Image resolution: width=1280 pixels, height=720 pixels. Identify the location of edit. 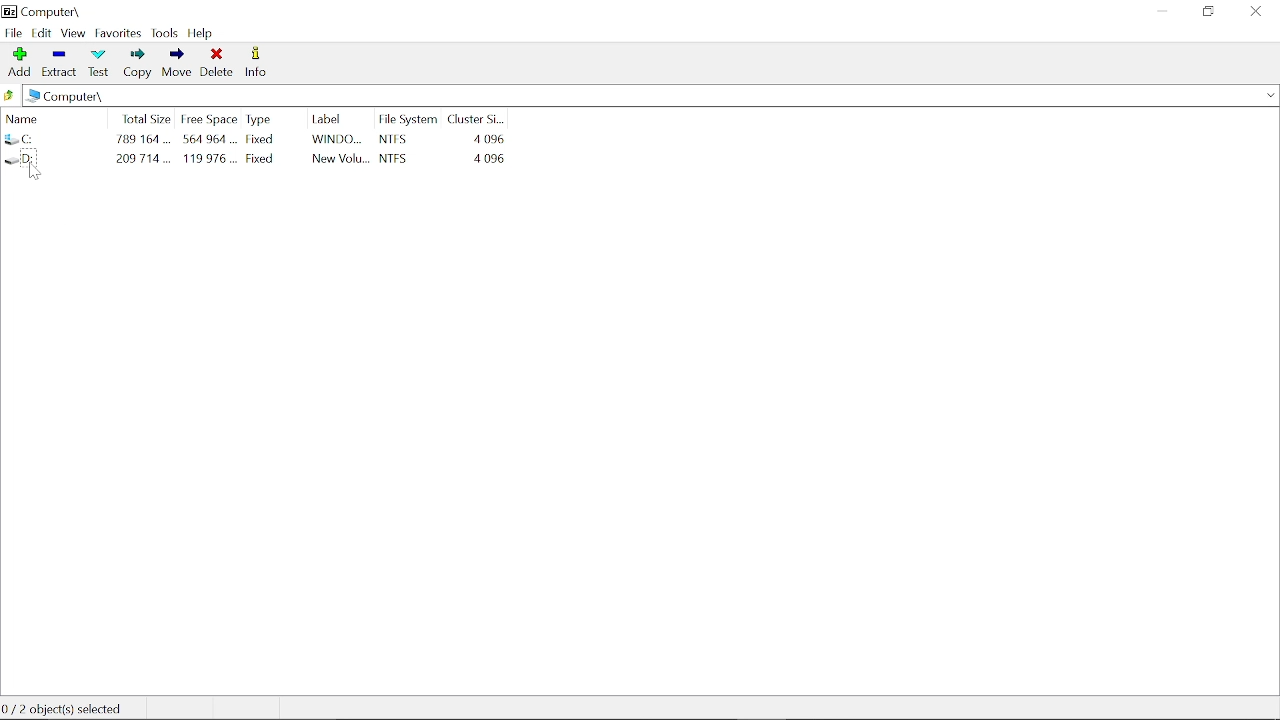
(42, 32).